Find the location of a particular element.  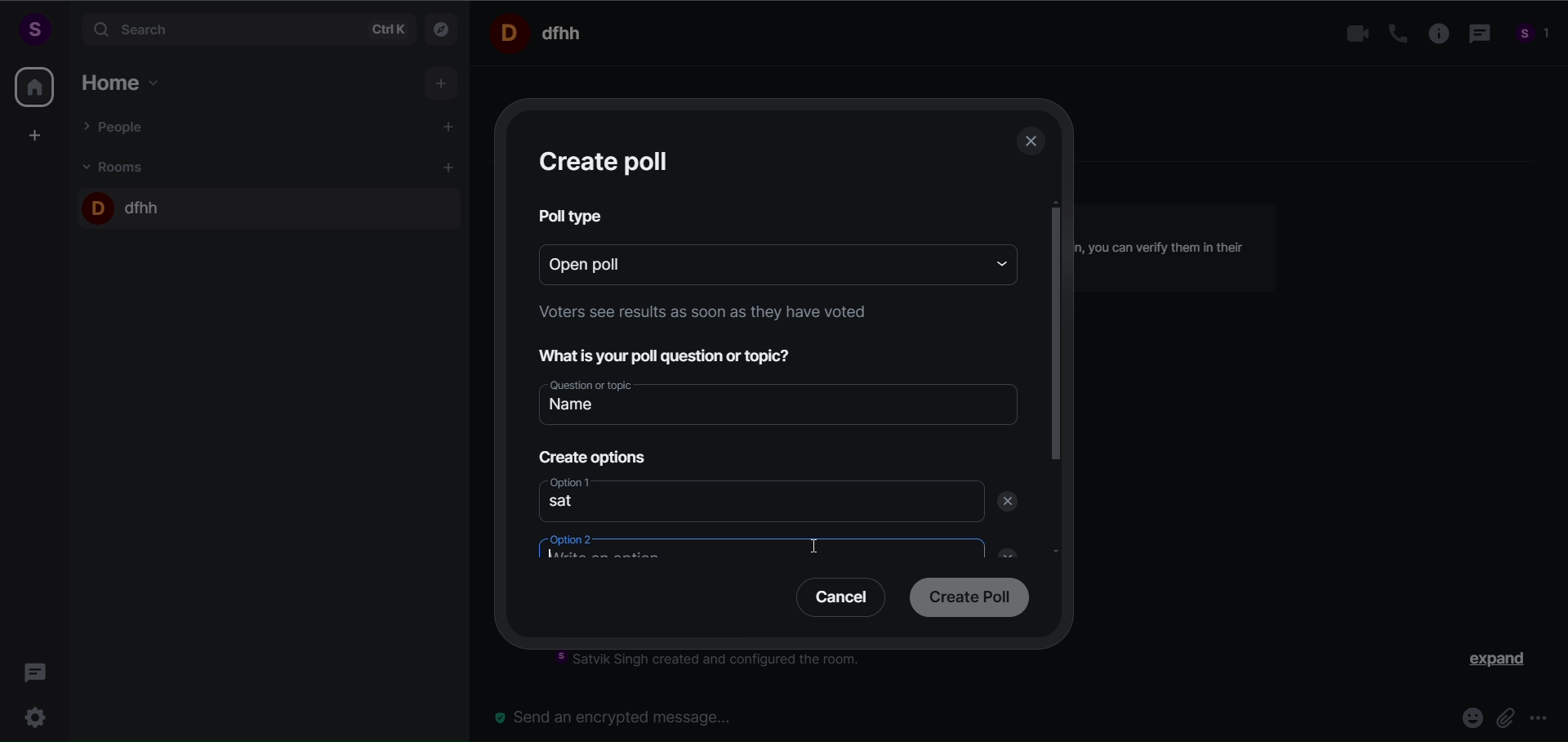

add is located at coordinates (443, 84).